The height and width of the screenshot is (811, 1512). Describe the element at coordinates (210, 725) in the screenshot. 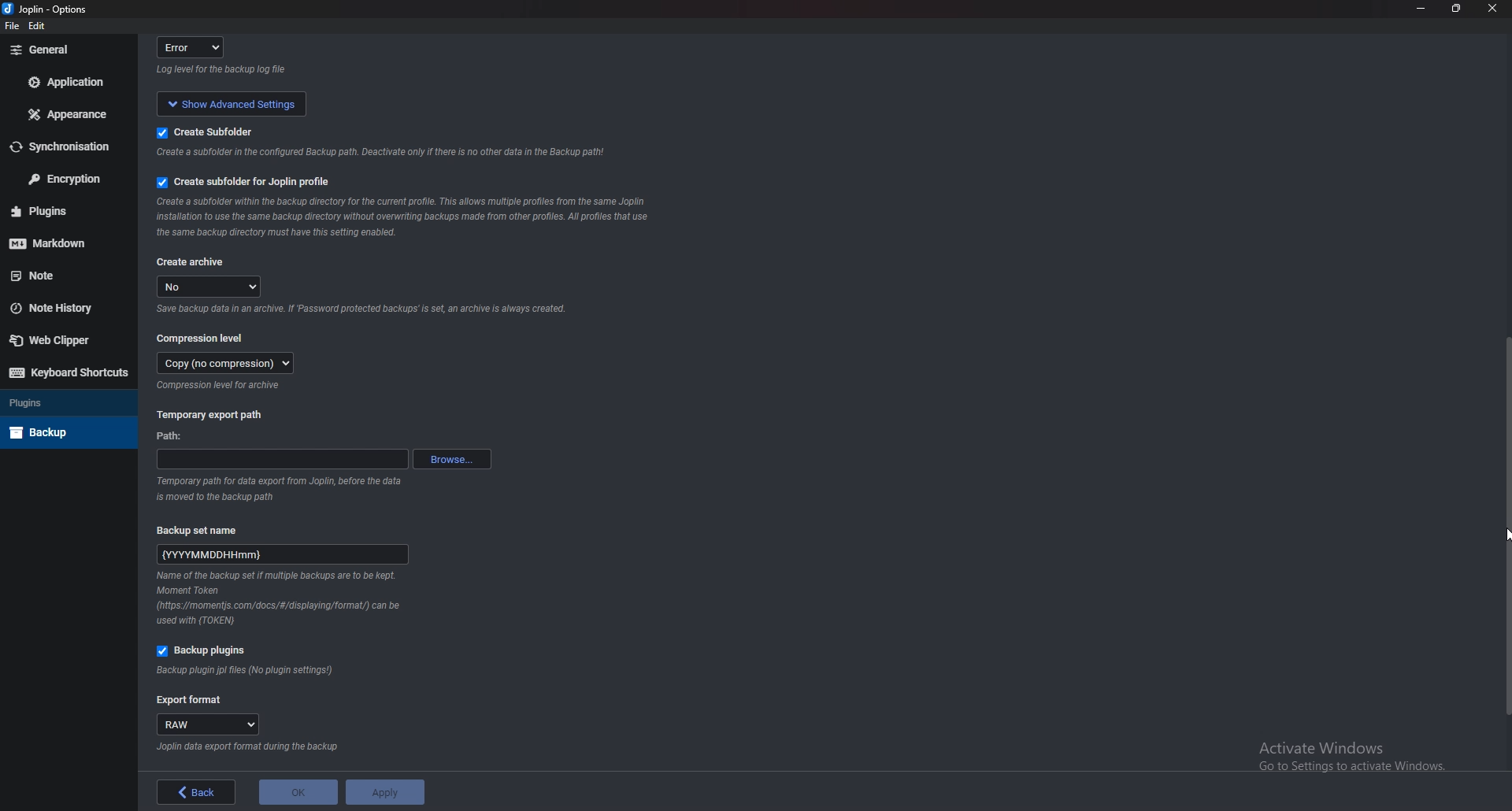

I see `raw` at that location.